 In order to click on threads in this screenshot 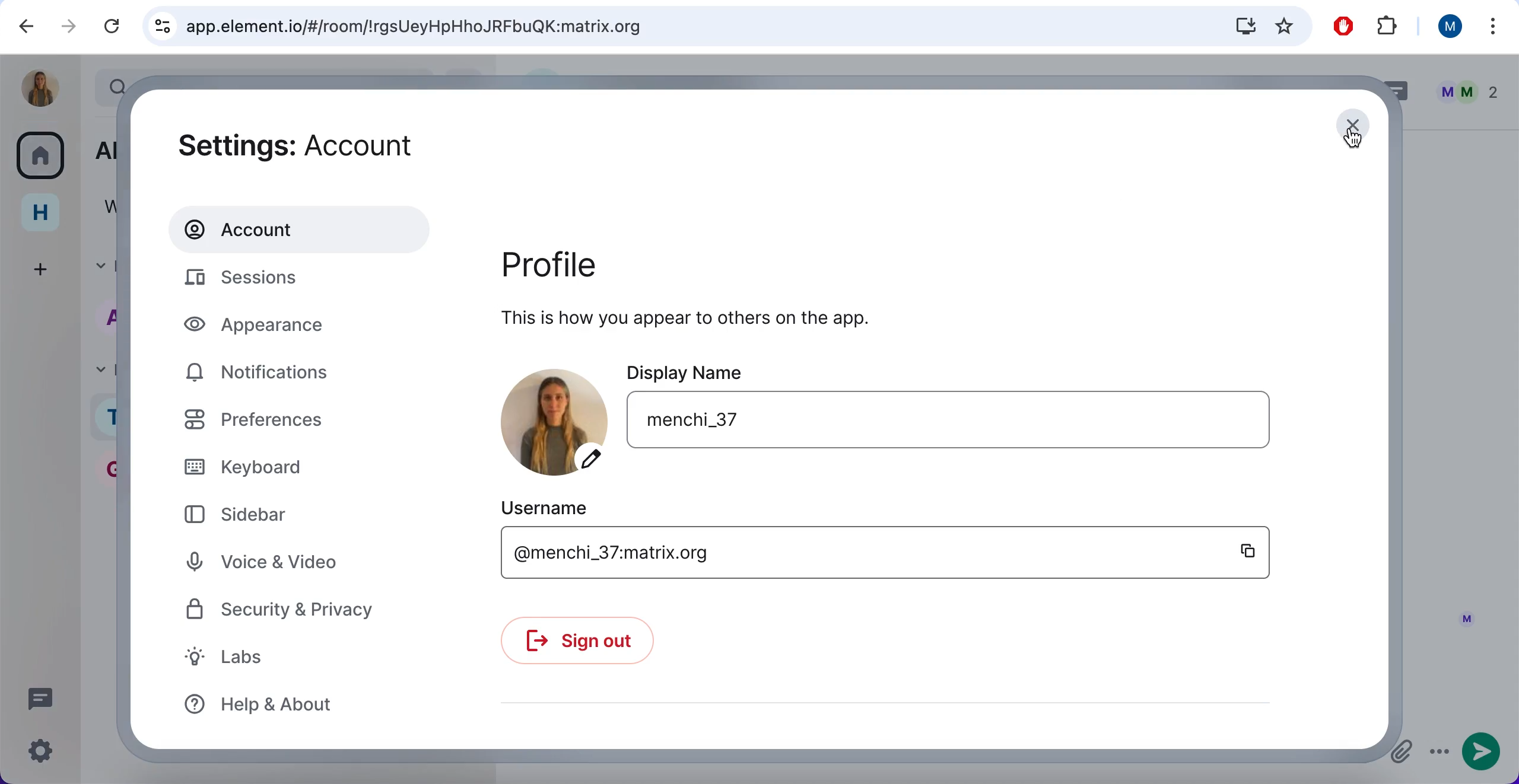, I will do `click(40, 698)`.